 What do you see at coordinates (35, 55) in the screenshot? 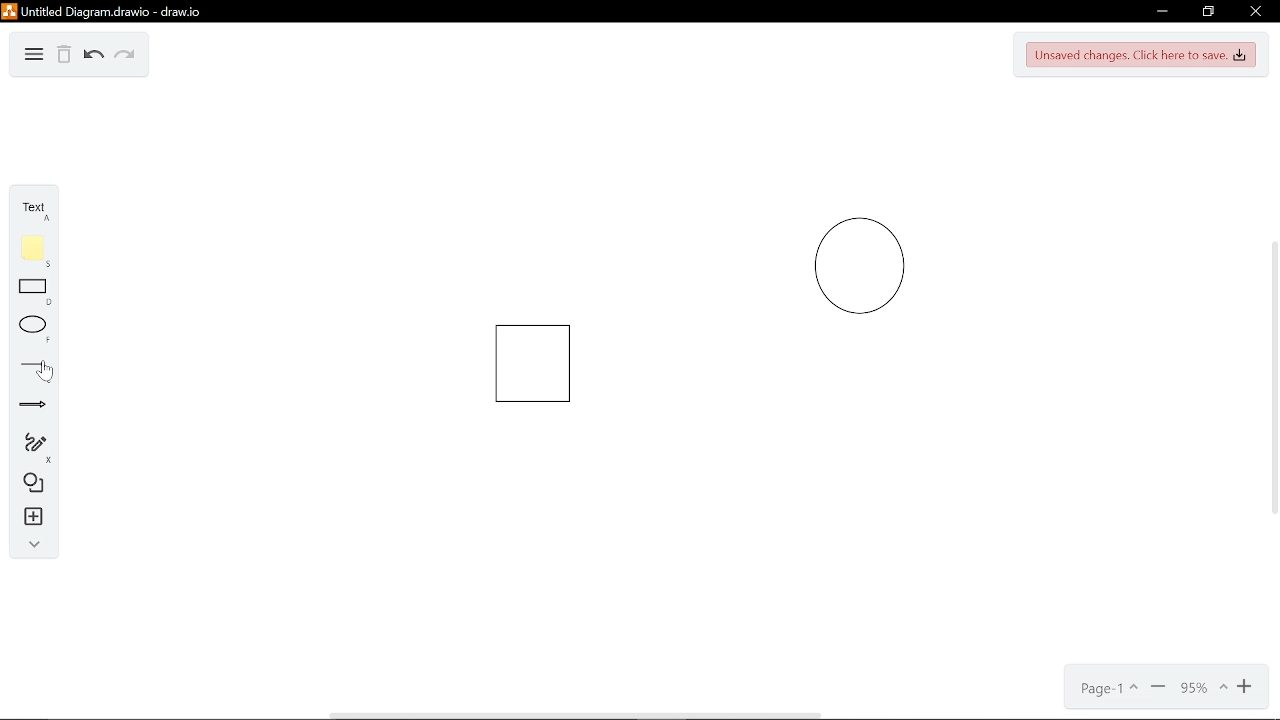
I see `Diagram` at bounding box center [35, 55].